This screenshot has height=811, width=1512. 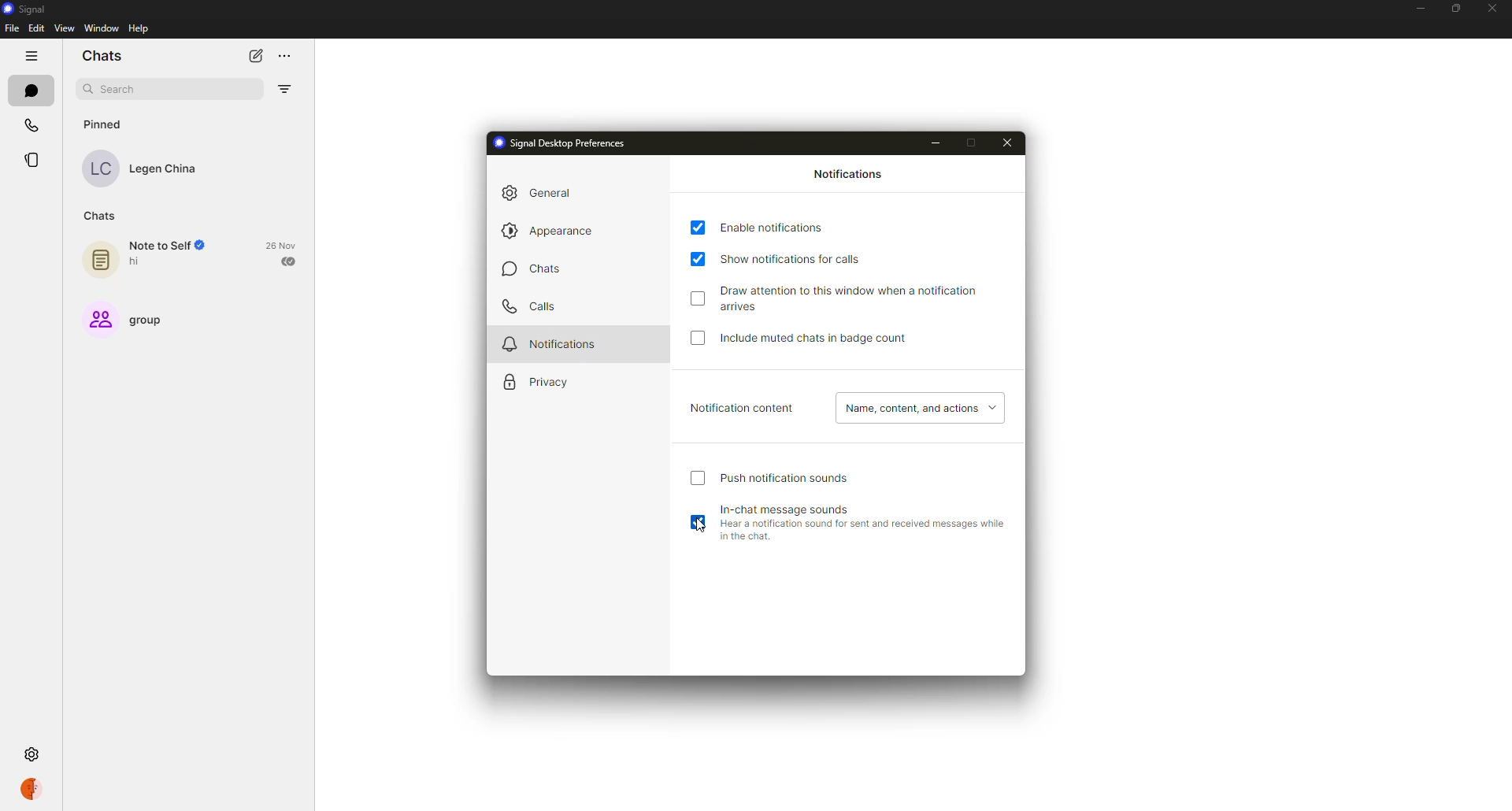 I want to click on calls, so click(x=30, y=124).